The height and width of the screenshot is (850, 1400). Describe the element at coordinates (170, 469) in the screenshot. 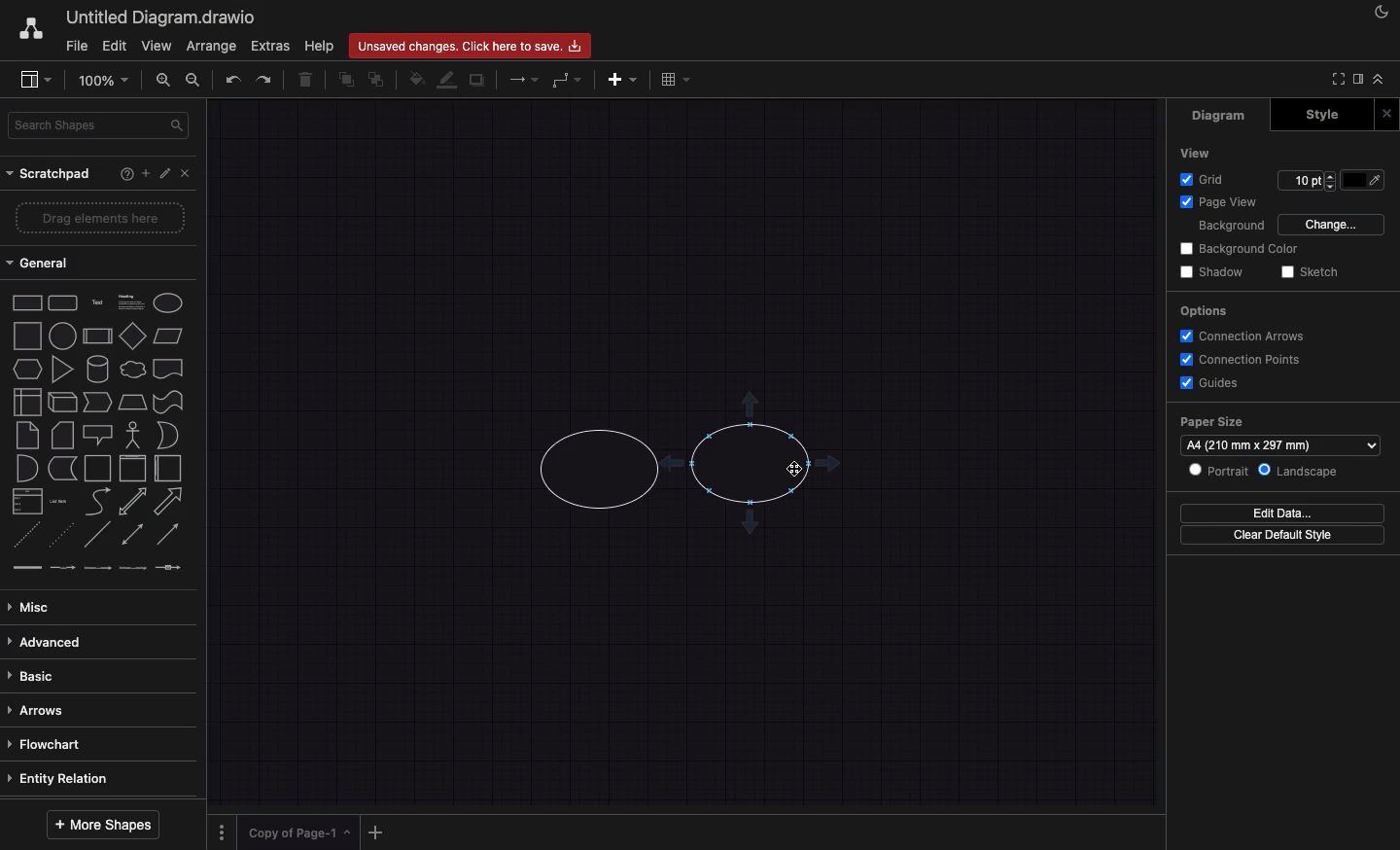

I see `Horizontal container` at that location.